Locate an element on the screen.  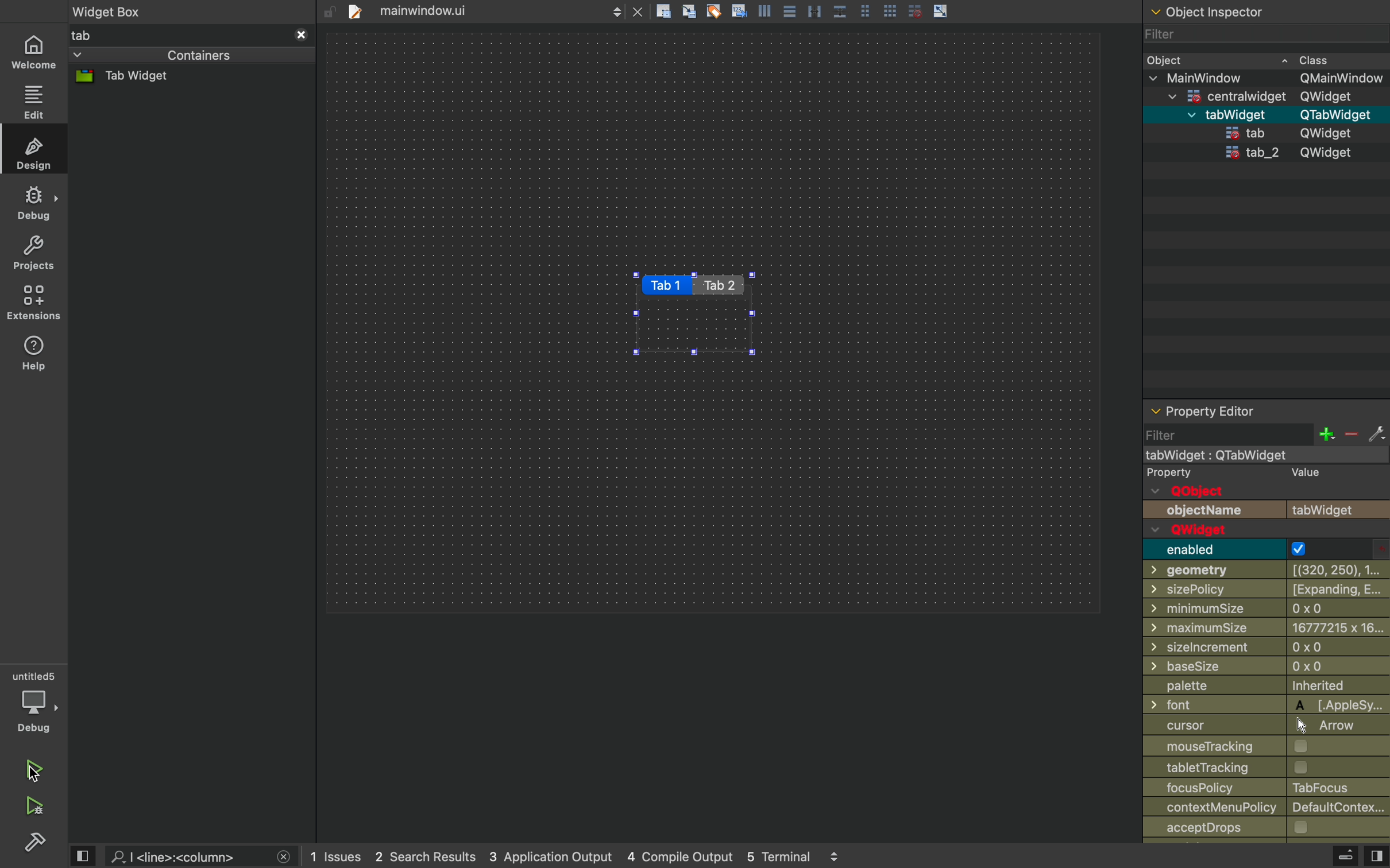
close is located at coordinates (284, 858).